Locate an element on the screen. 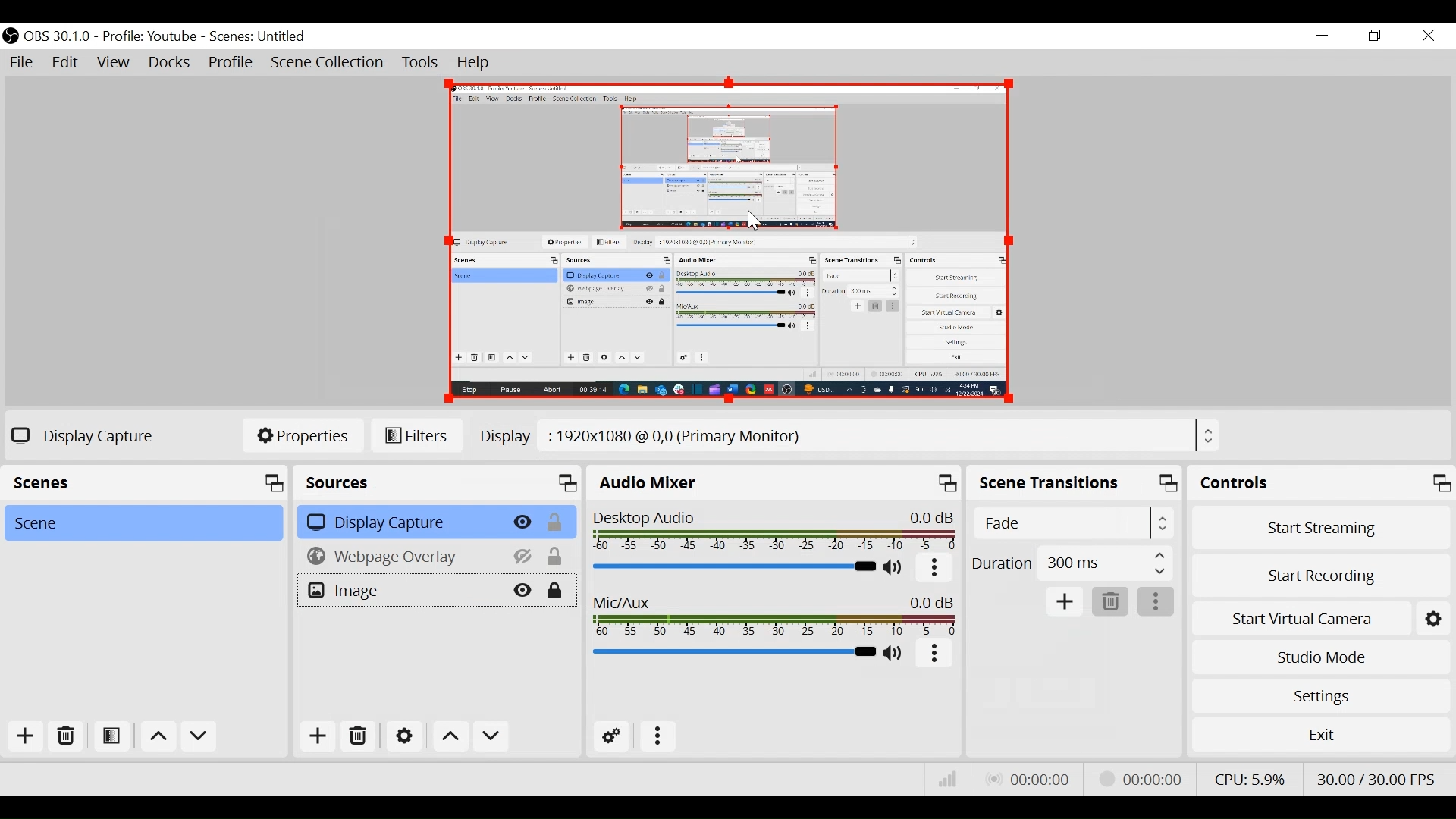 The height and width of the screenshot is (819, 1456). Move down is located at coordinates (199, 738).